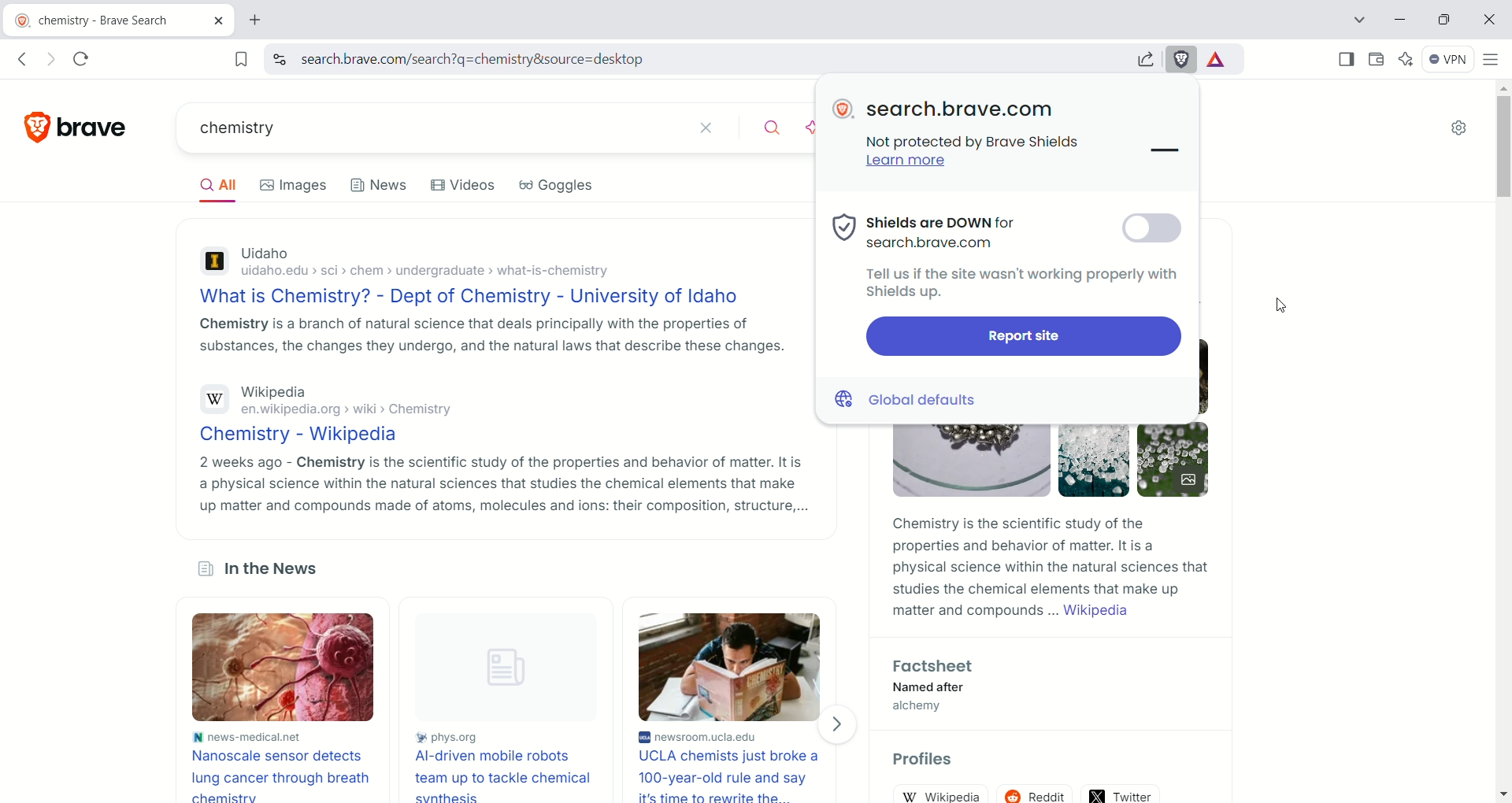 The image size is (1512, 803). What do you see at coordinates (498, 437) in the screenshot?
I see `Chemistry - Wikipedia` at bounding box center [498, 437].